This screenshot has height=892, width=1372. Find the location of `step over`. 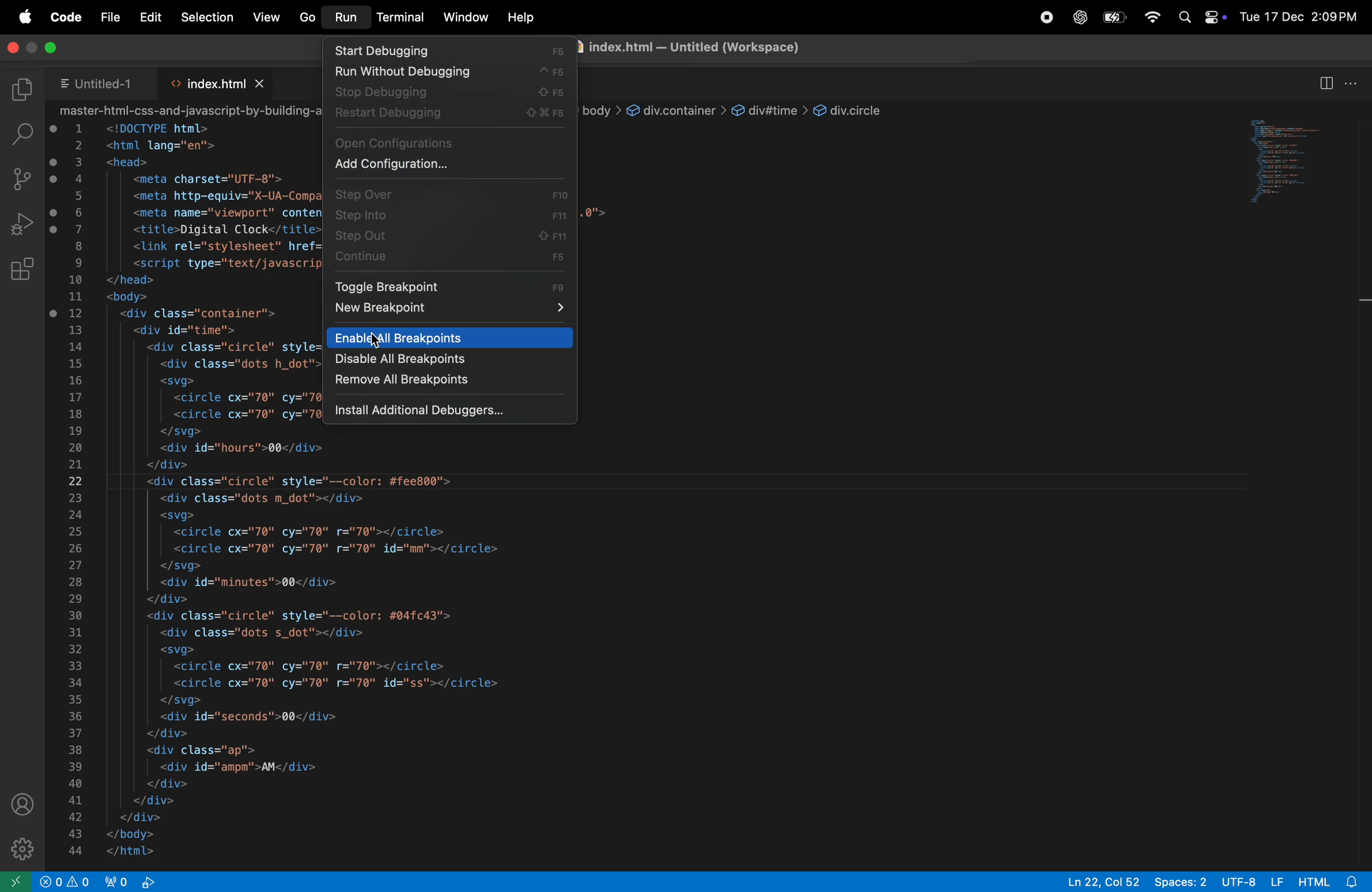

step over is located at coordinates (448, 194).